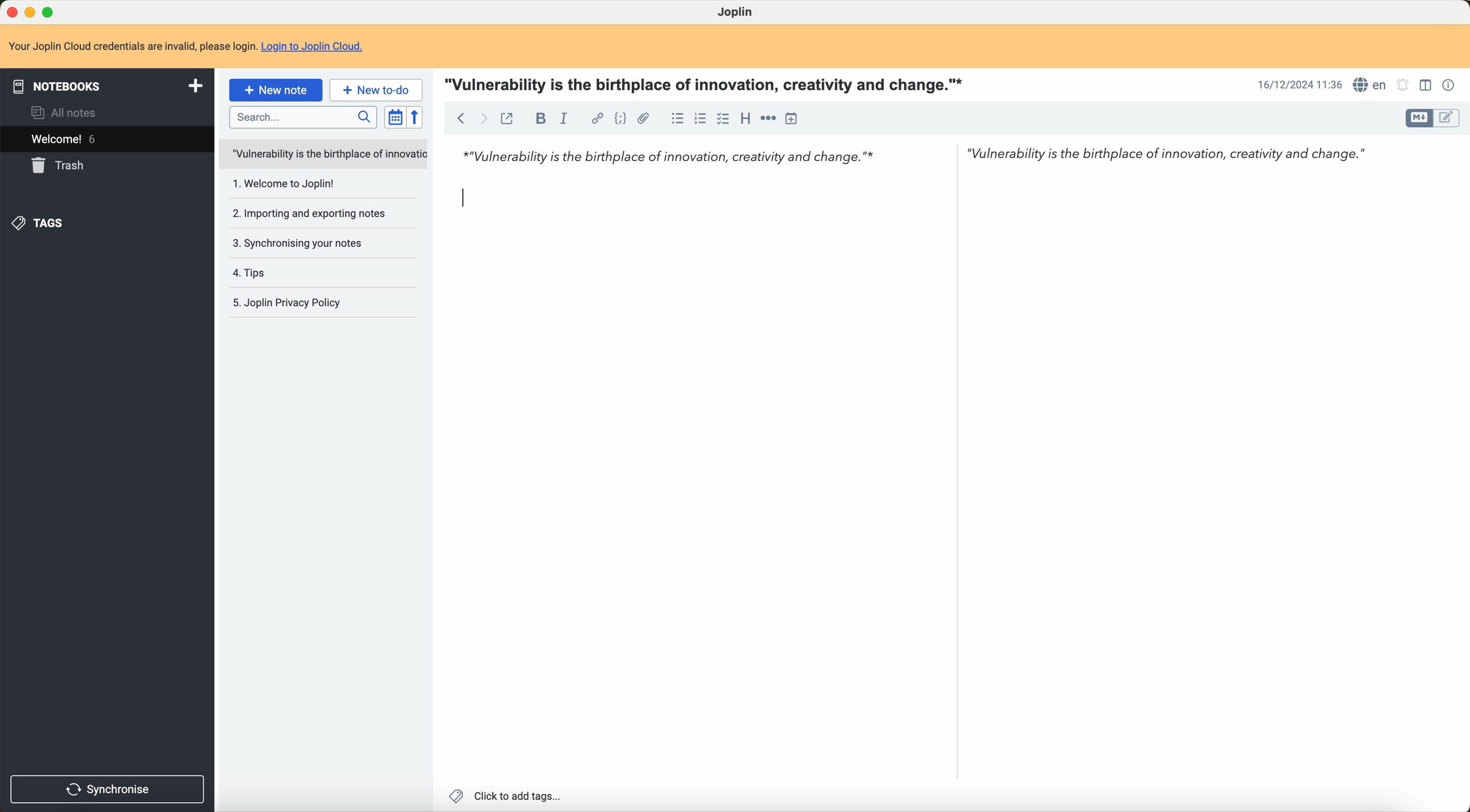 The image size is (1470, 812). Describe the element at coordinates (506, 795) in the screenshot. I see `click to add tags` at that location.